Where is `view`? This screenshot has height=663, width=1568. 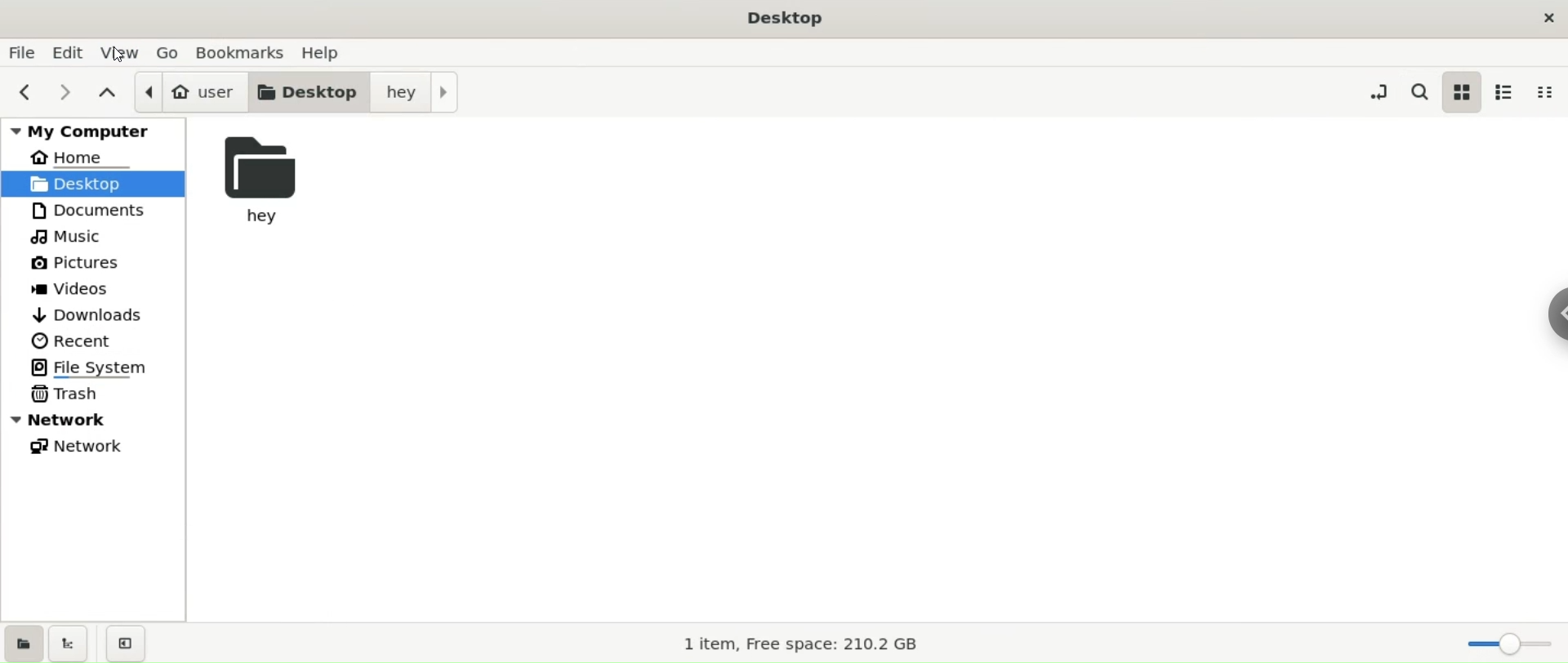
view is located at coordinates (121, 52).